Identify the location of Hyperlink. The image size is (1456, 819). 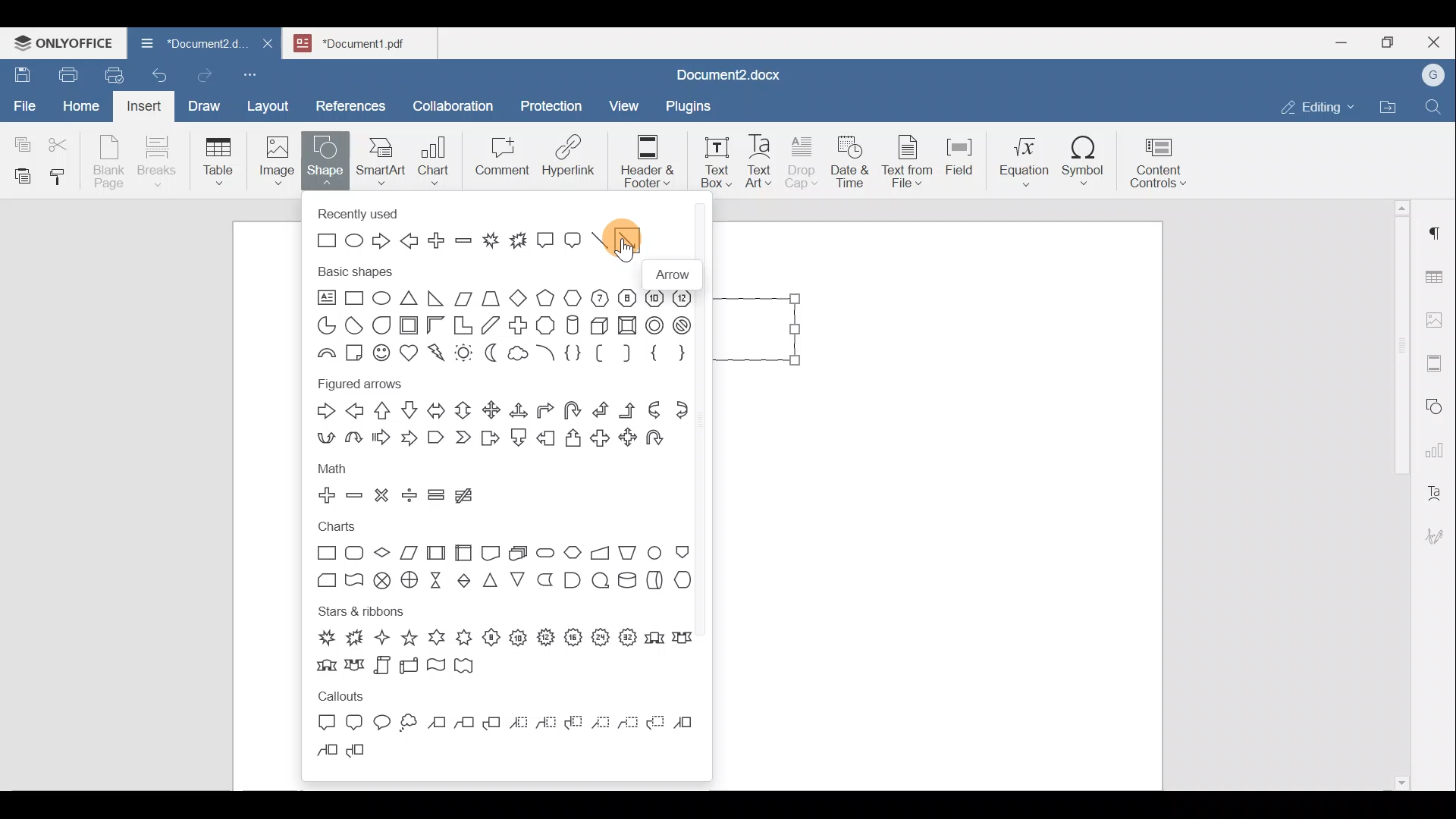
(573, 160).